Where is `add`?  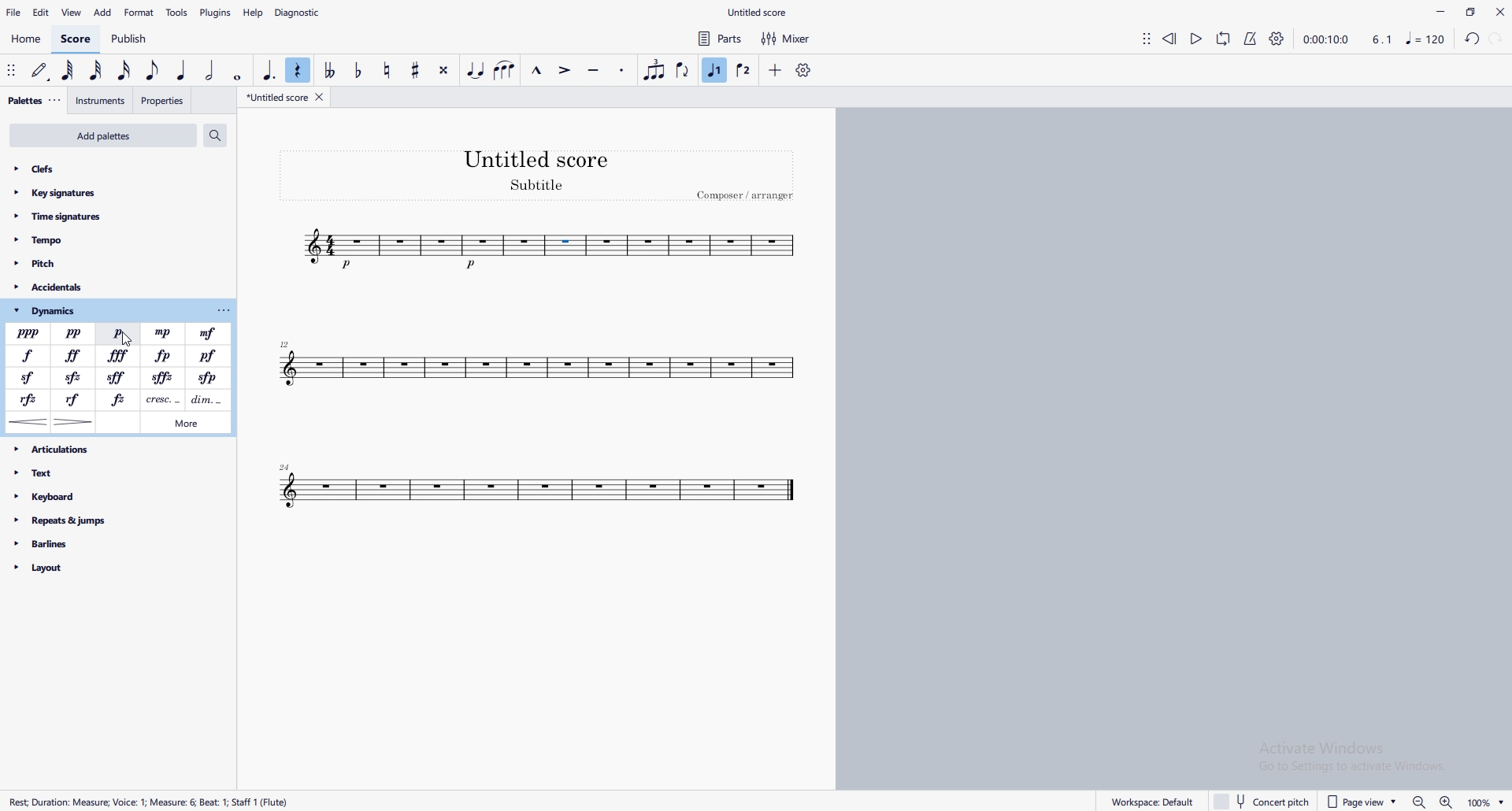
add is located at coordinates (103, 13).